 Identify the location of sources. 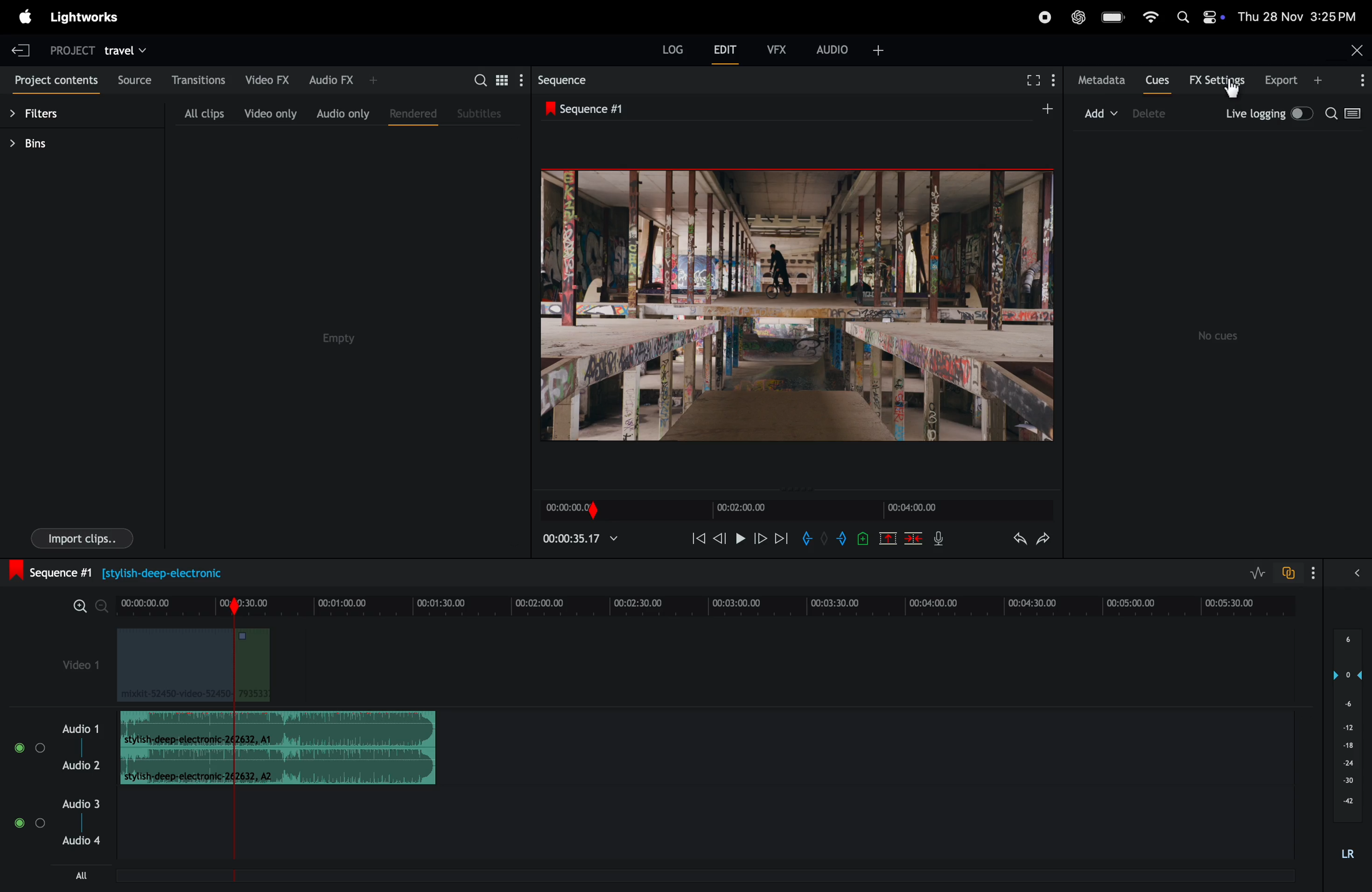
(136, 80).